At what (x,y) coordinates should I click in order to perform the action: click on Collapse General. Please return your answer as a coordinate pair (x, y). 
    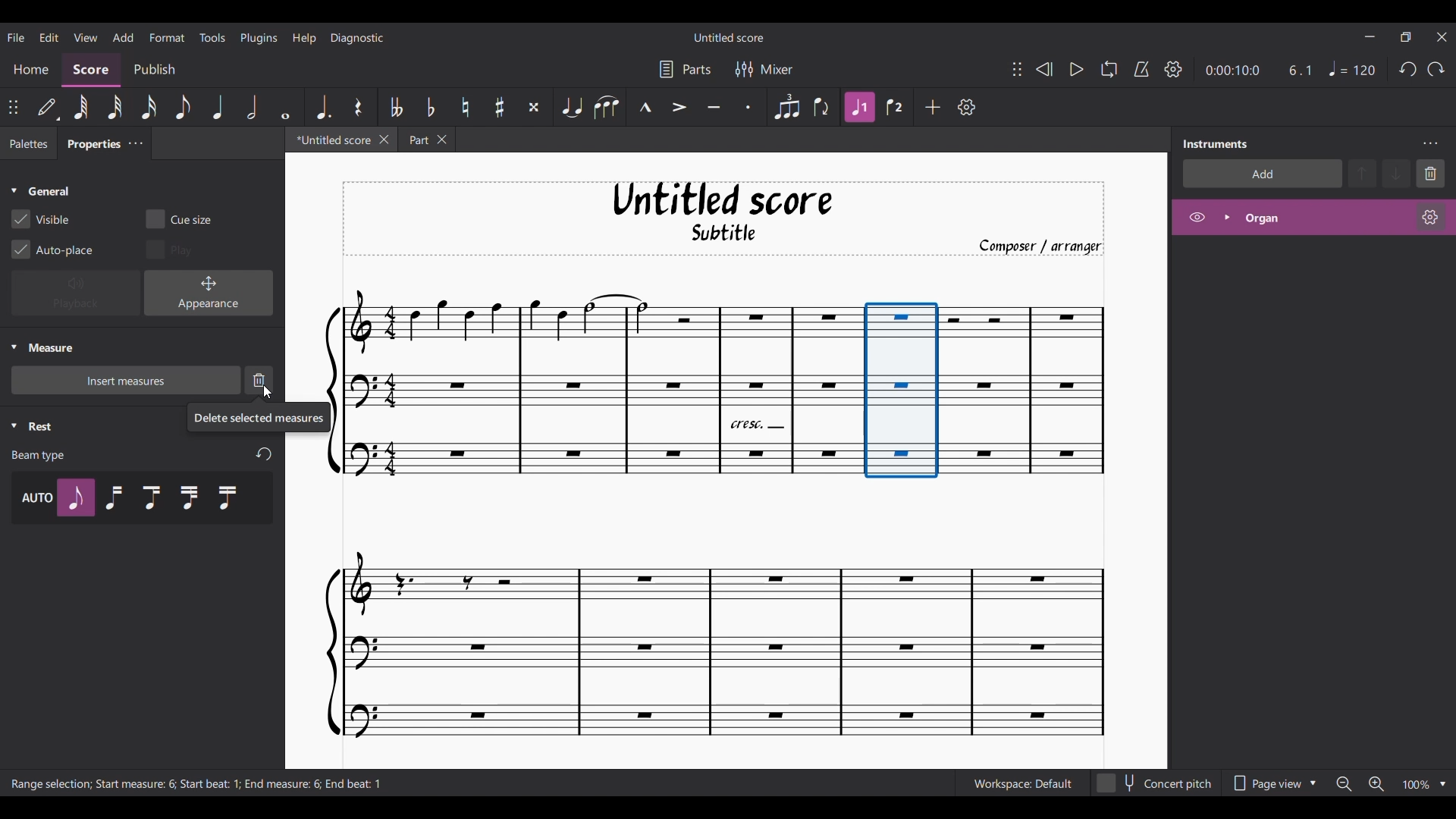
    Looking at the image, I should click on (41, 191).